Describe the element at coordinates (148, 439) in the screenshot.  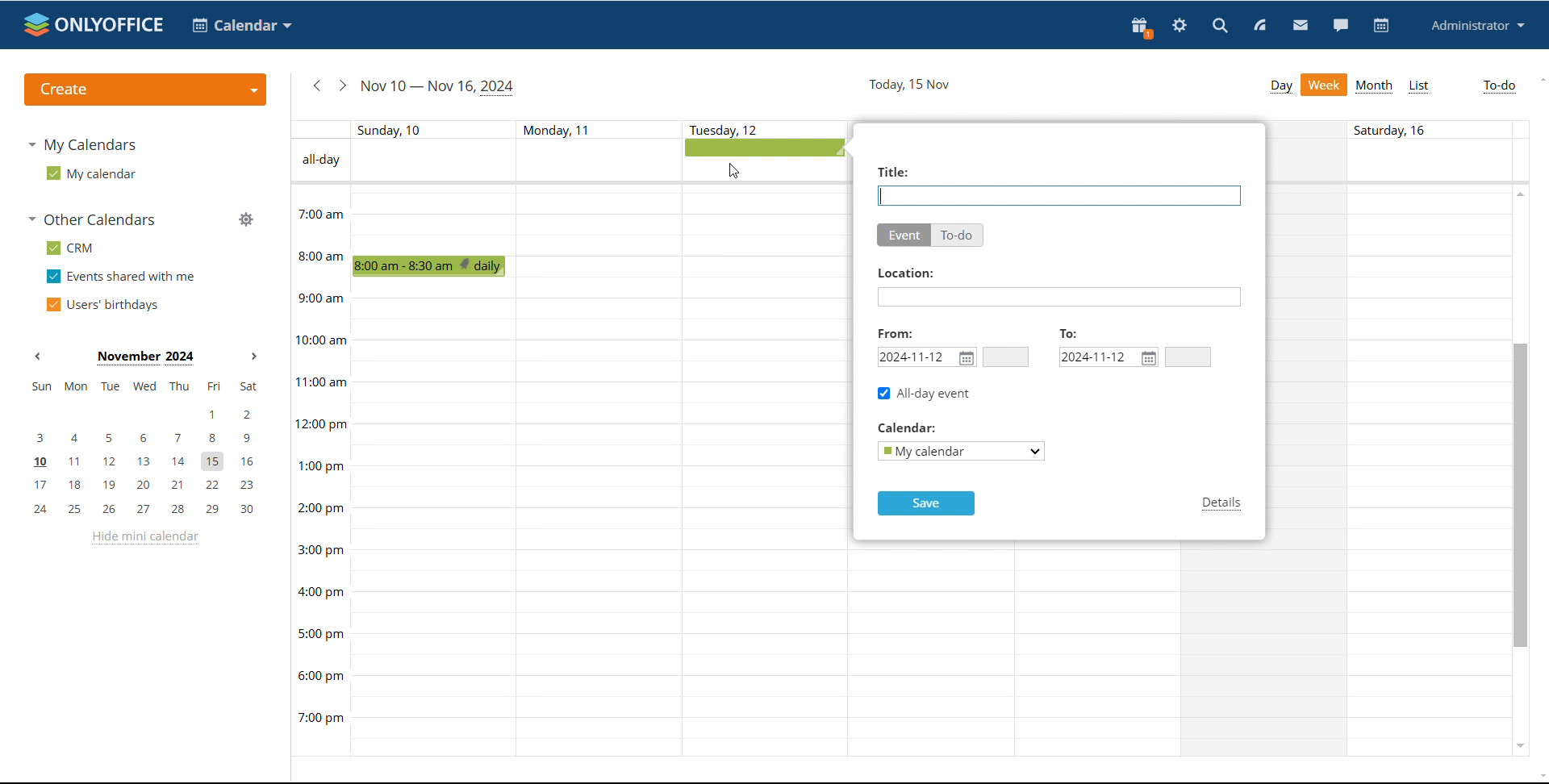
I see `3, 4, 5, 6, 7, 8, 9` at that location.